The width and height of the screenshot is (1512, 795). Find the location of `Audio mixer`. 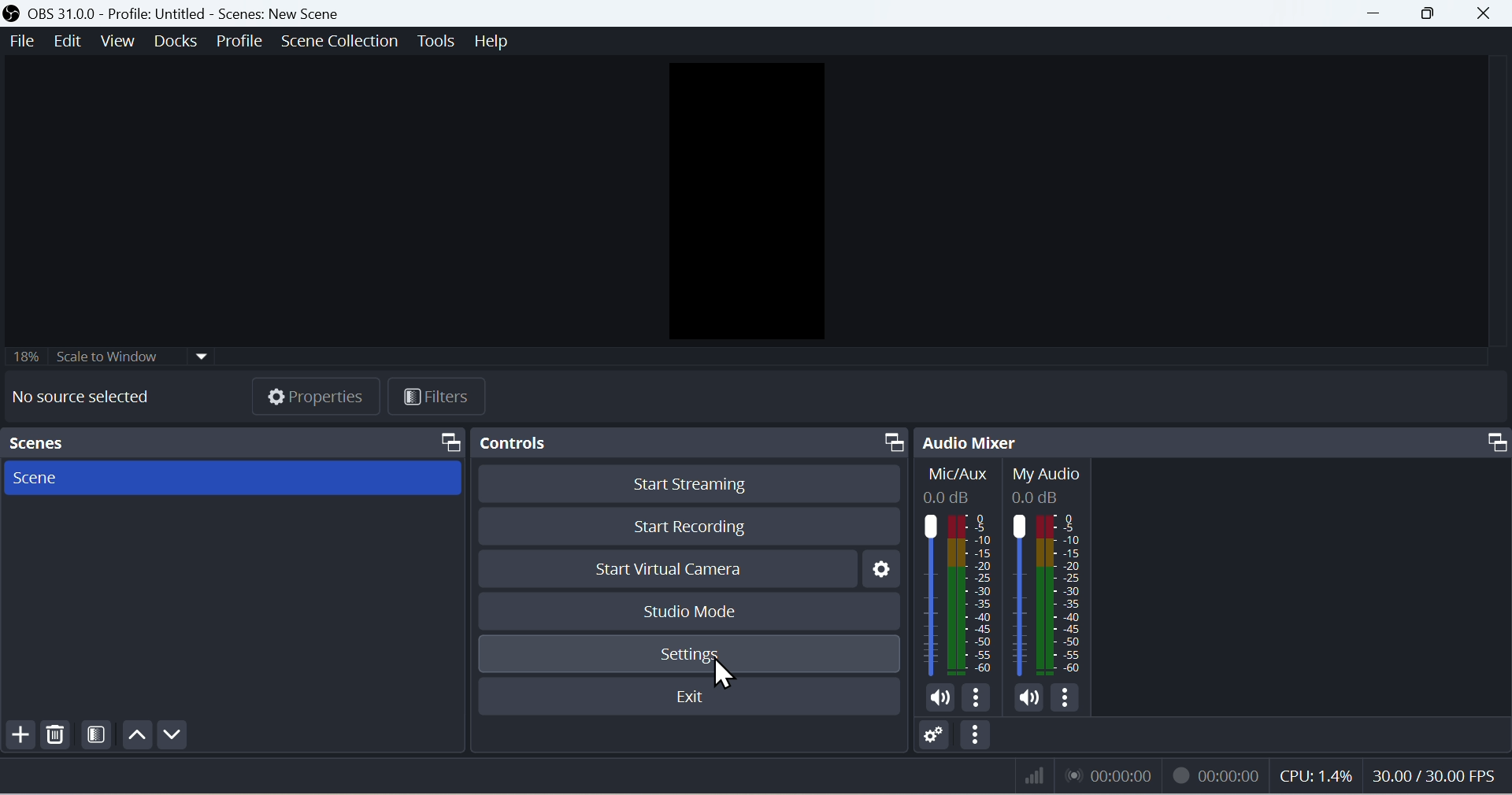

Audio mixer is located at coordinates (1213, 440).